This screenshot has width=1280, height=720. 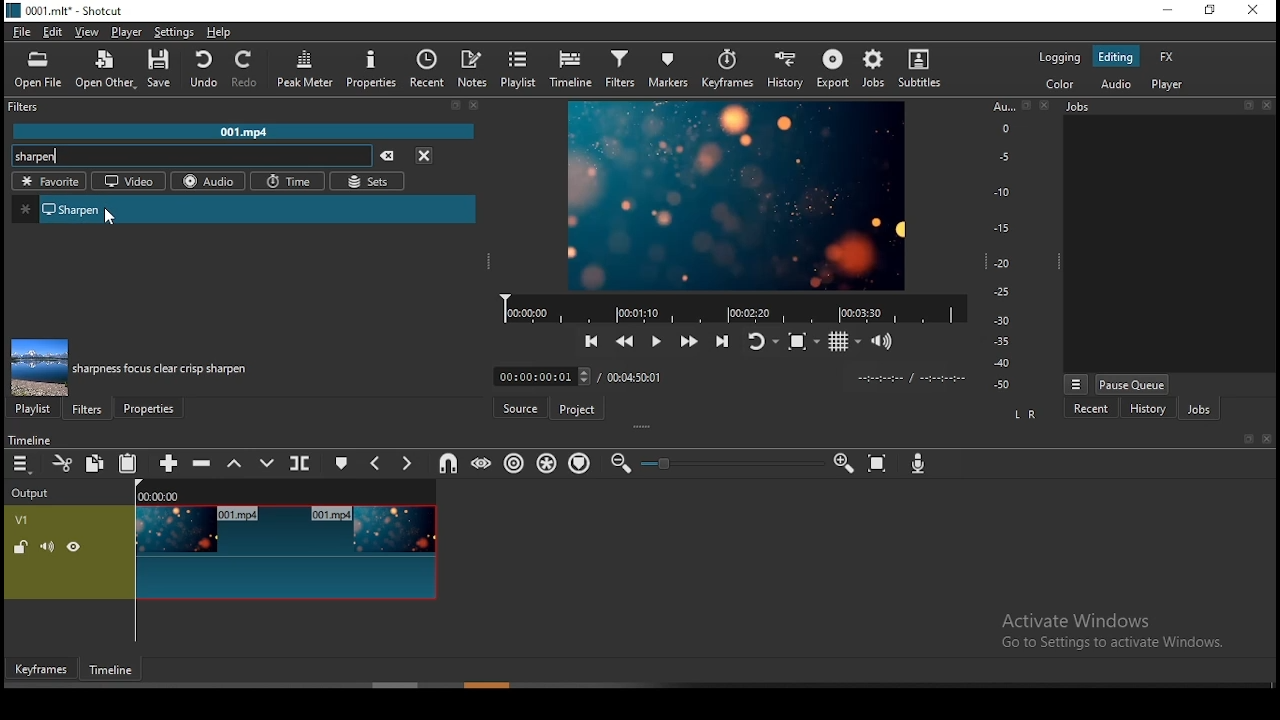 What do you see at coordinates (300, 464) in the screenshot?
I see `split at playhead` at bounding box center [300, 464].